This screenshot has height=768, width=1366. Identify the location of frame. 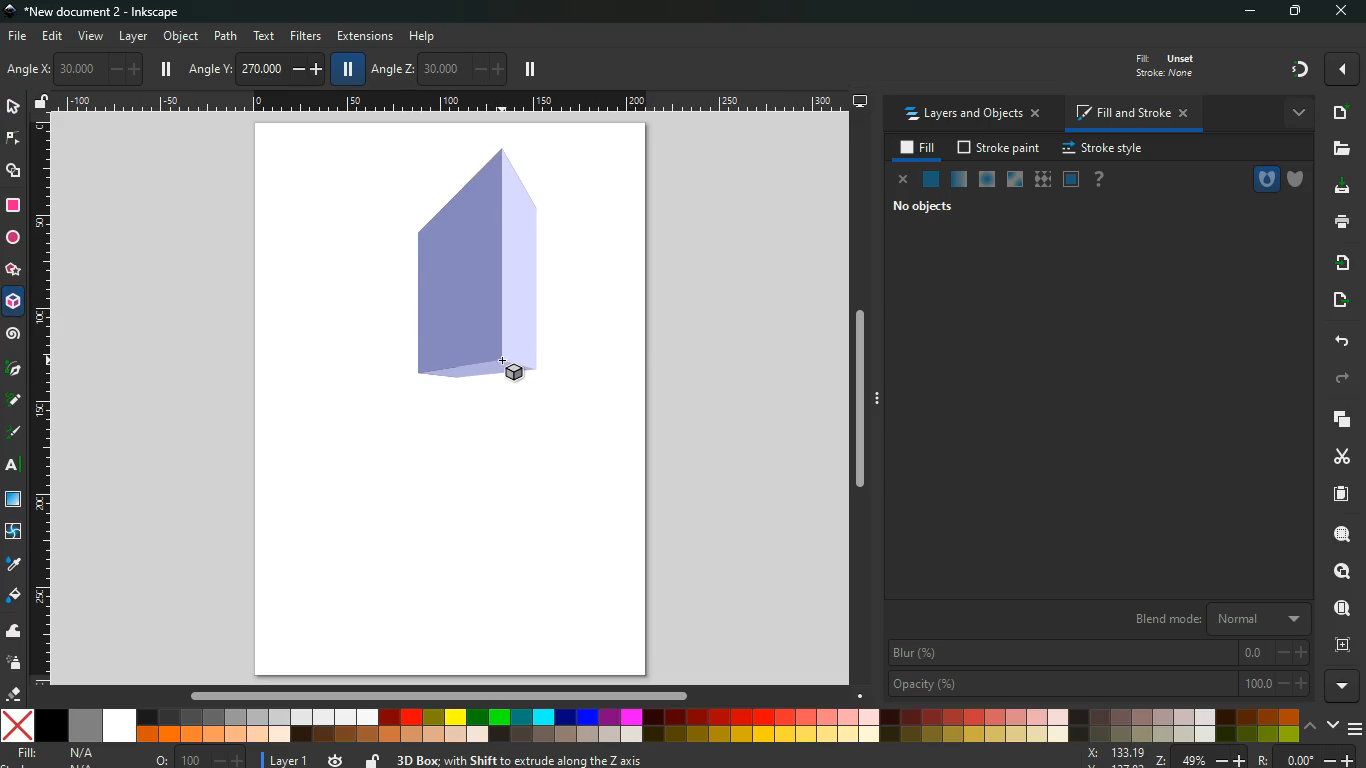
(1071, 180).